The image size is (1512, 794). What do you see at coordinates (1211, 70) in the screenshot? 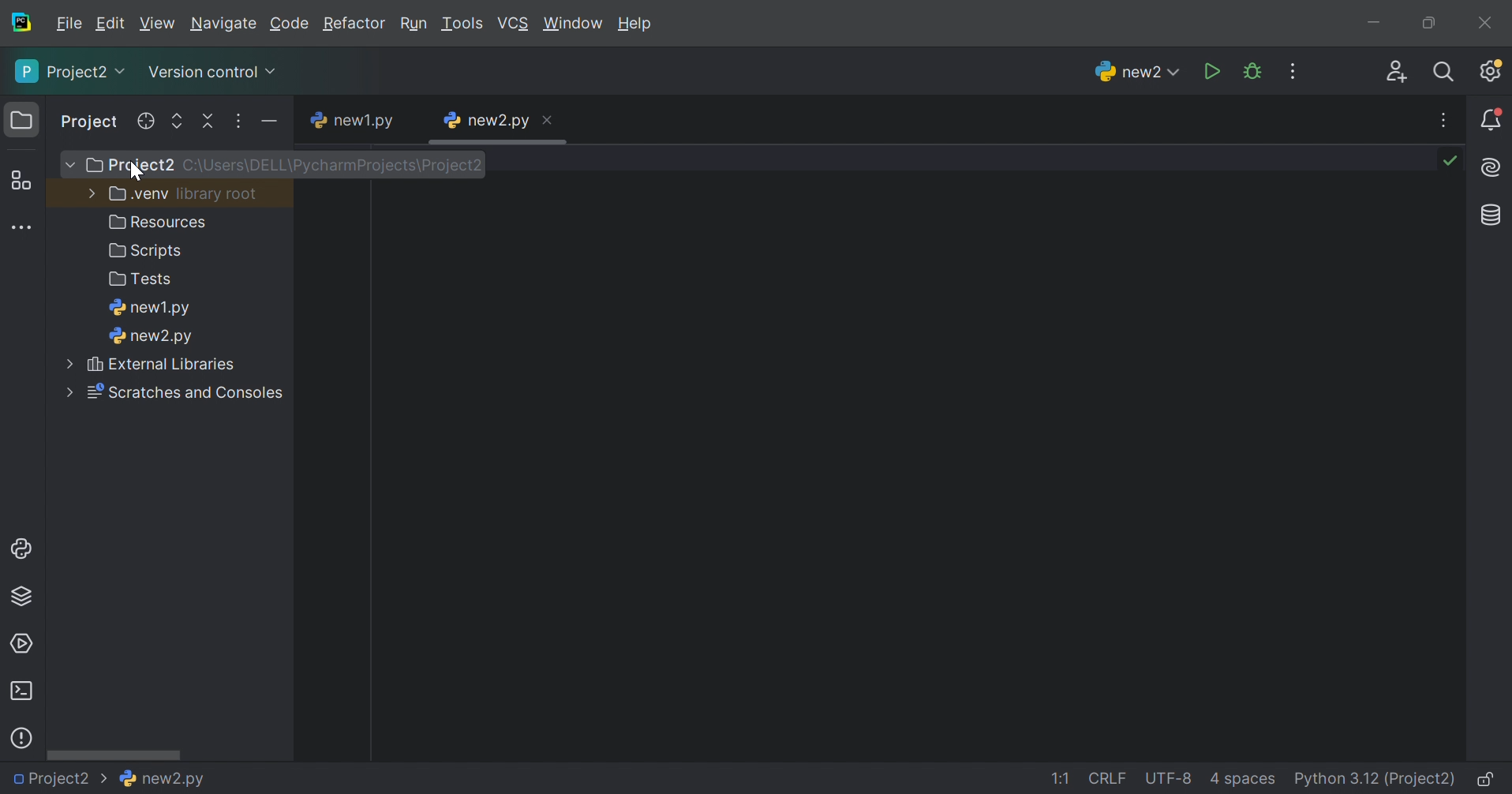
I see `Run` at bounding box center [1211, 70].